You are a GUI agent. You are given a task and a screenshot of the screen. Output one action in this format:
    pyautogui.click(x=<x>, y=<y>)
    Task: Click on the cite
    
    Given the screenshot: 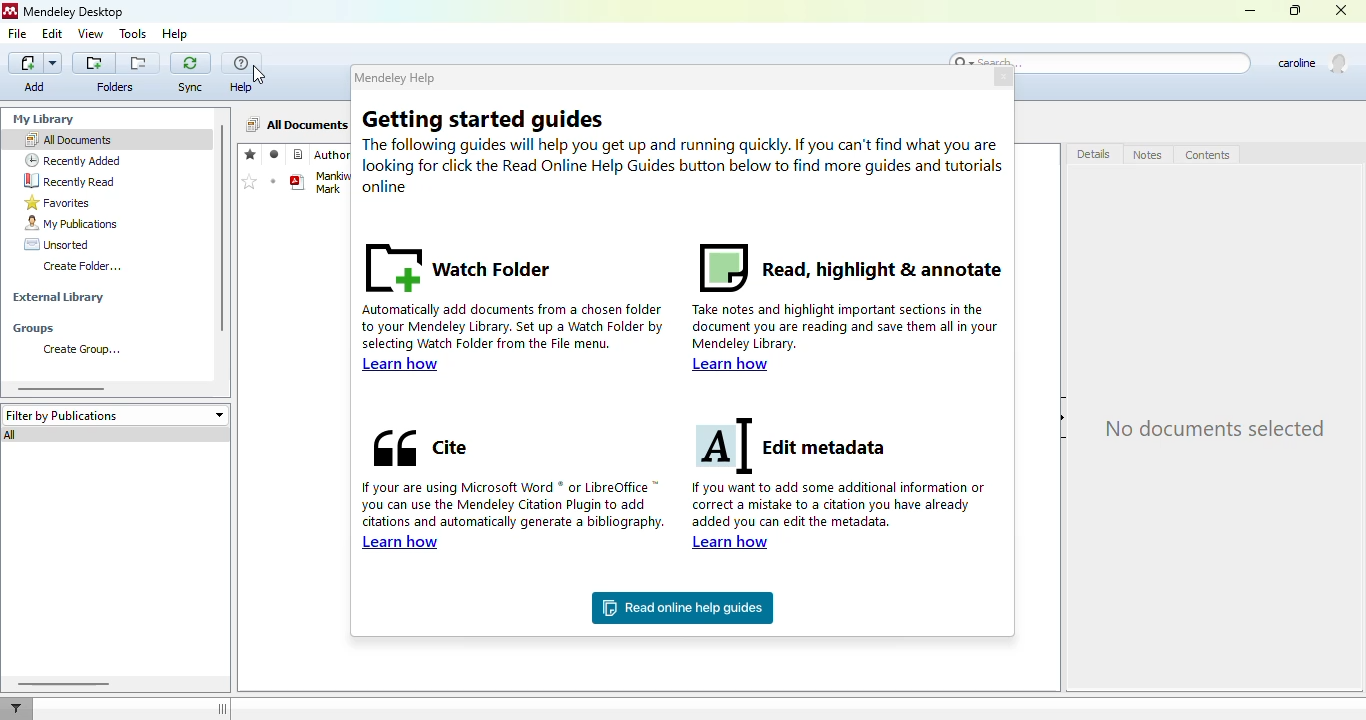 What is the action you would take?
    pyautogui.click(x=427, y=447)
    